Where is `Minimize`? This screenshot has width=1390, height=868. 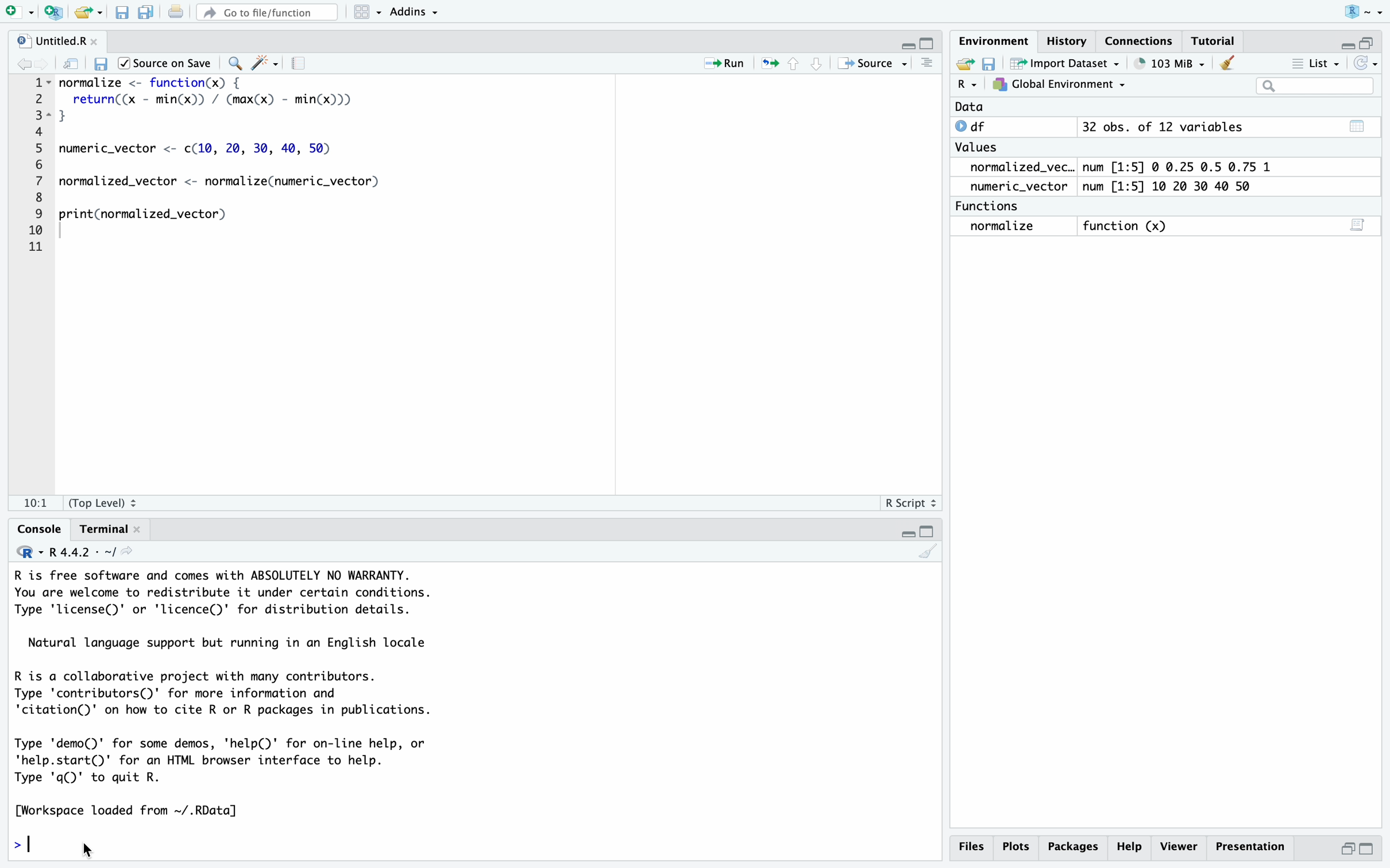 Minimize is located at coordinates (906, 534).